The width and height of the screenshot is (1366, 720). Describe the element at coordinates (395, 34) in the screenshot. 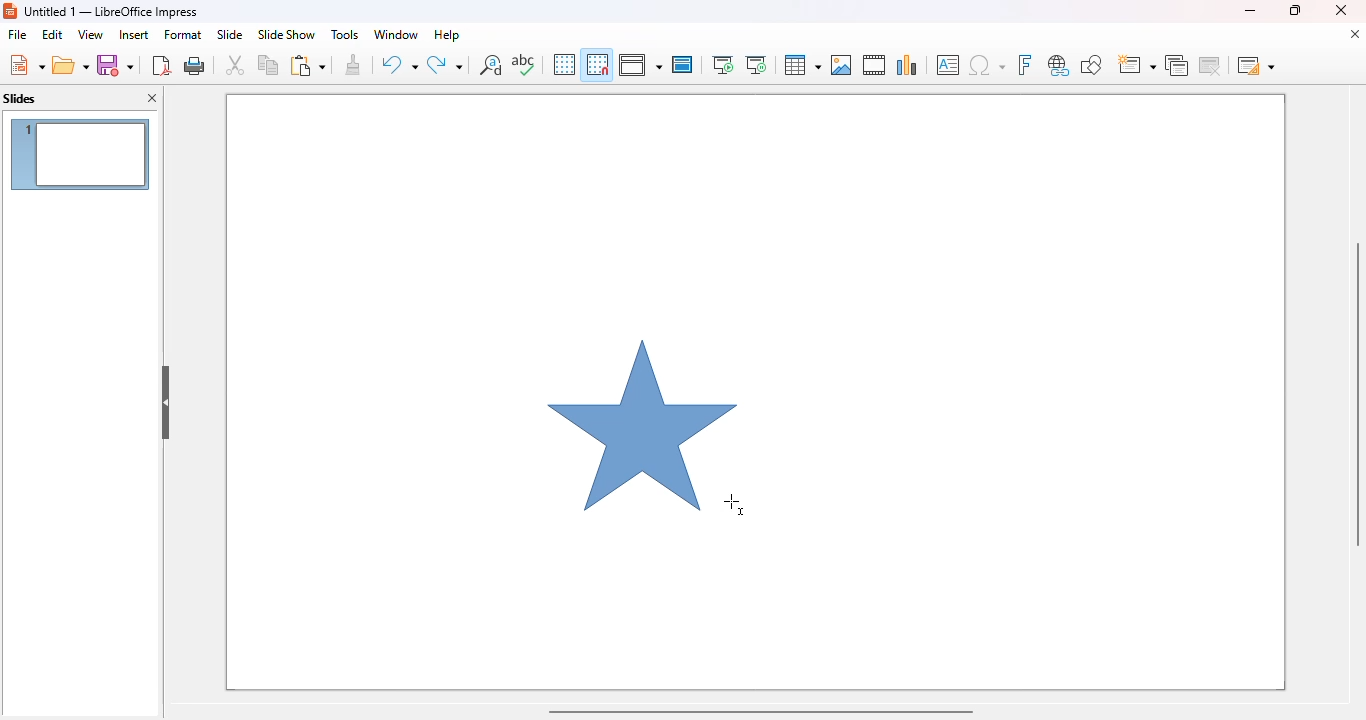

I see `window` at that location.